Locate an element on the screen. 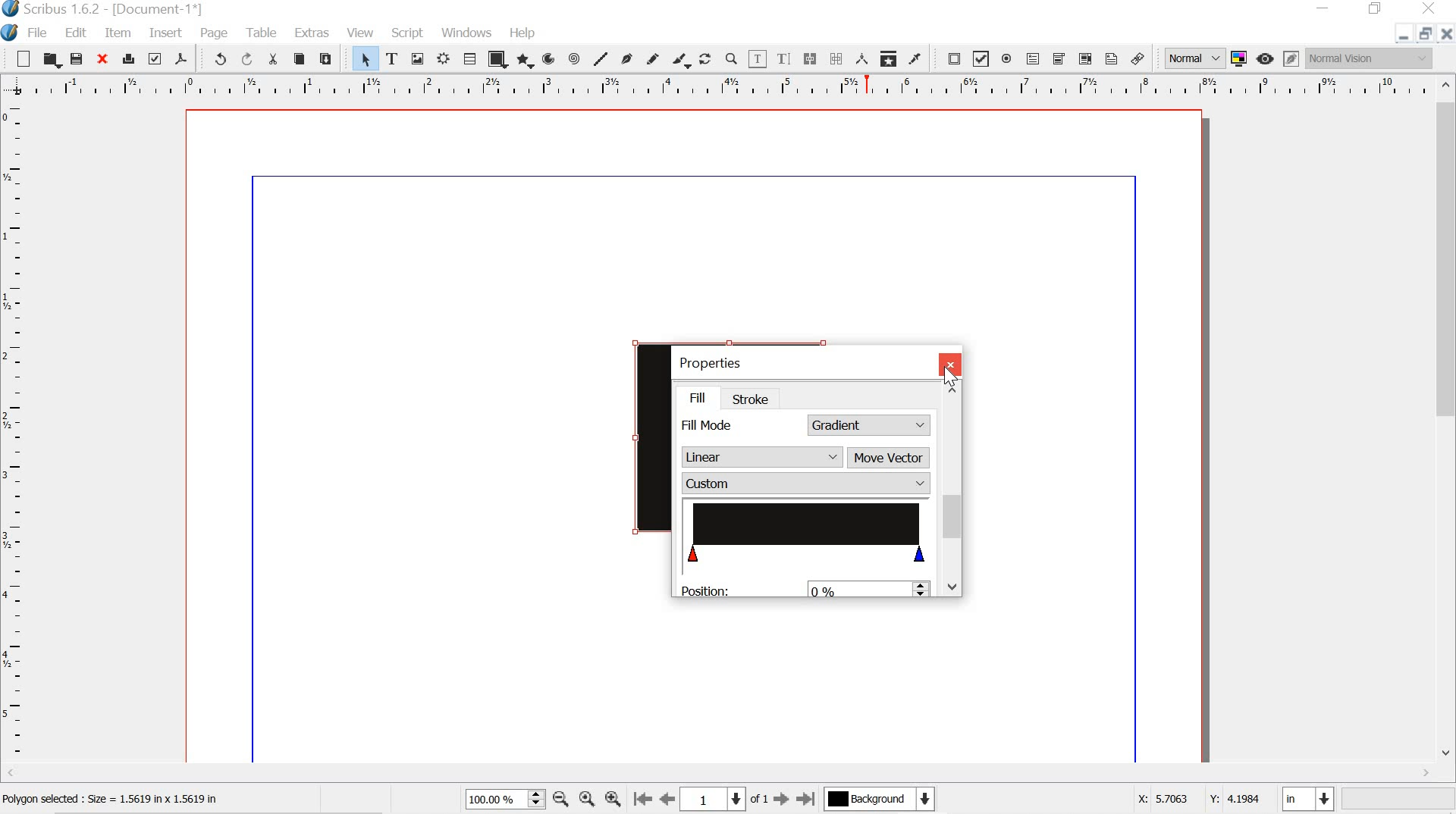 The image size is (1456, 814). ruler is located at coordinates (716, 86).